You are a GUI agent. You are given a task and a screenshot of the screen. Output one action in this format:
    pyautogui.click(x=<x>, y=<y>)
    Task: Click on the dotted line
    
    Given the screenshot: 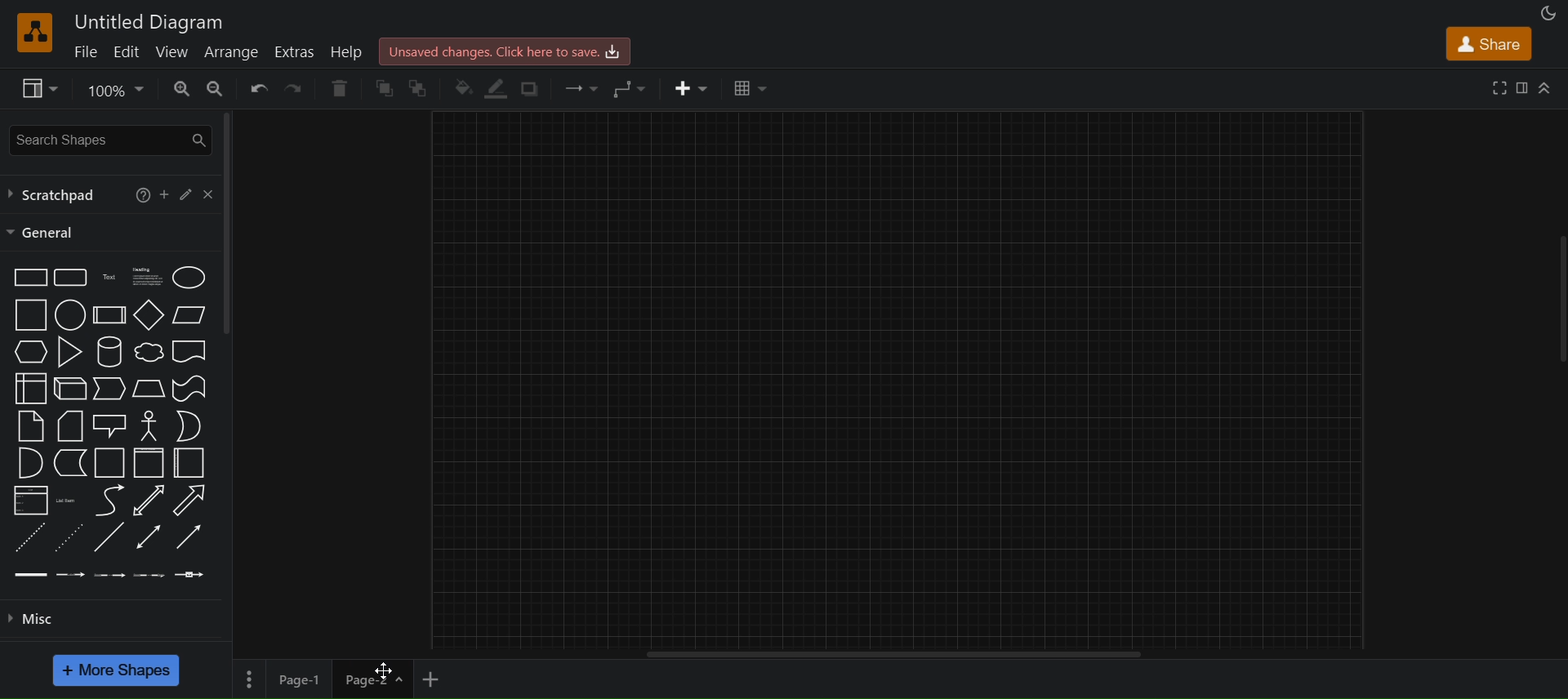 What is the action you would take?
    pyautogui.click(x=66, y=538)
    